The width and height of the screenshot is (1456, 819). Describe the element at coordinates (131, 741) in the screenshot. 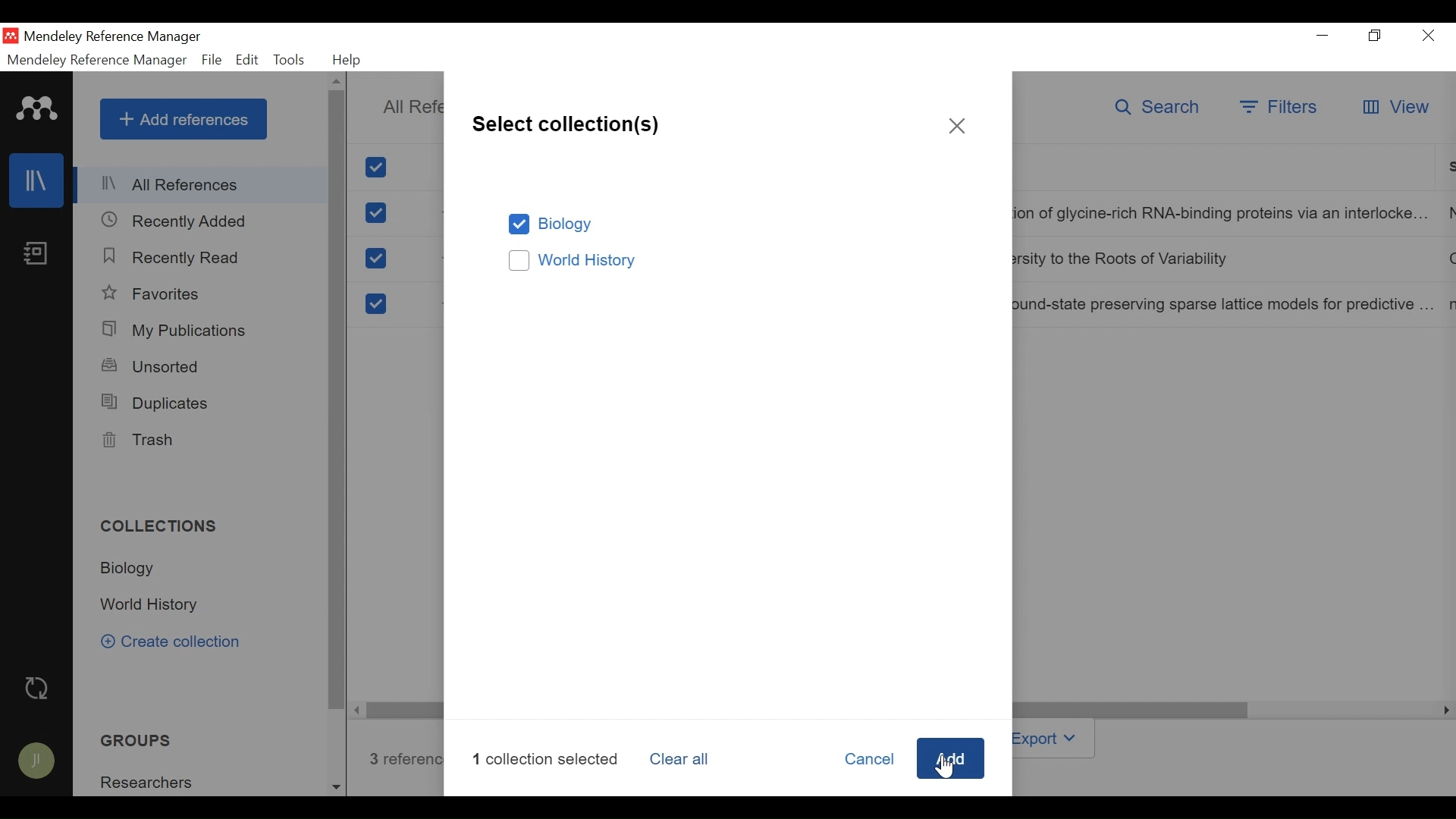

I see `Groups ` at that location.